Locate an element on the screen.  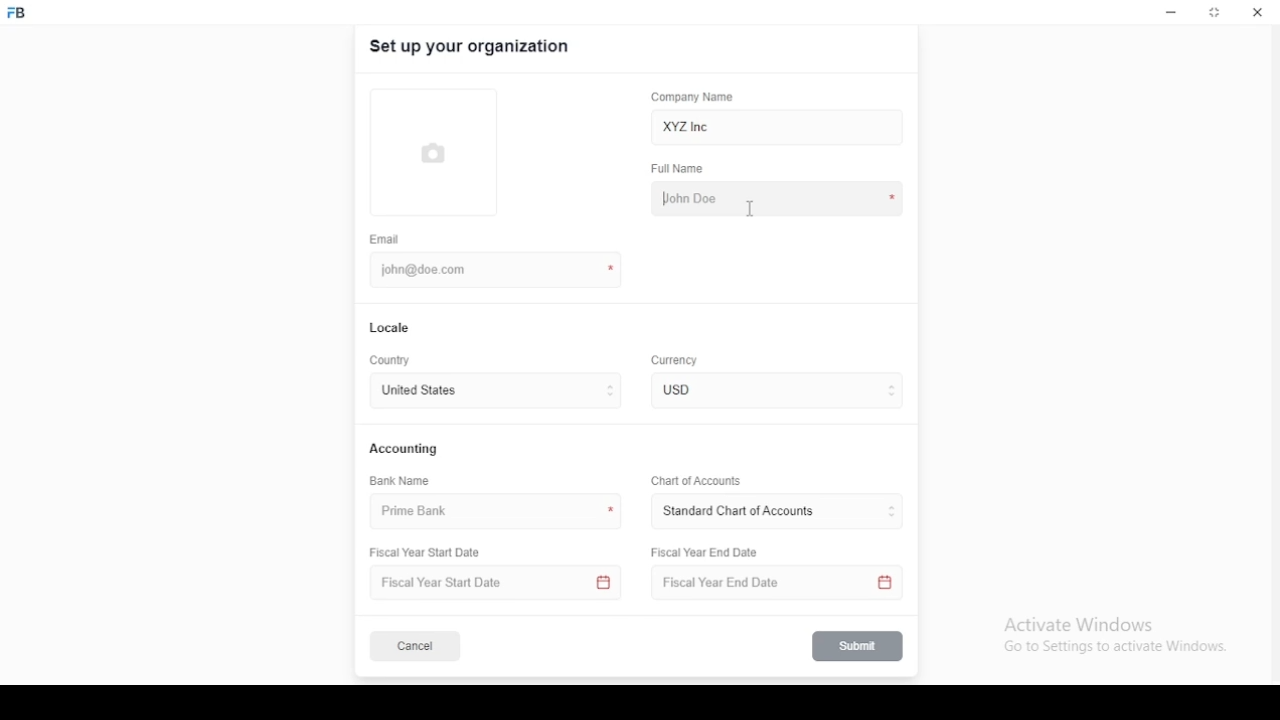
Chart of Accounts is located at coordinates (693, 480).